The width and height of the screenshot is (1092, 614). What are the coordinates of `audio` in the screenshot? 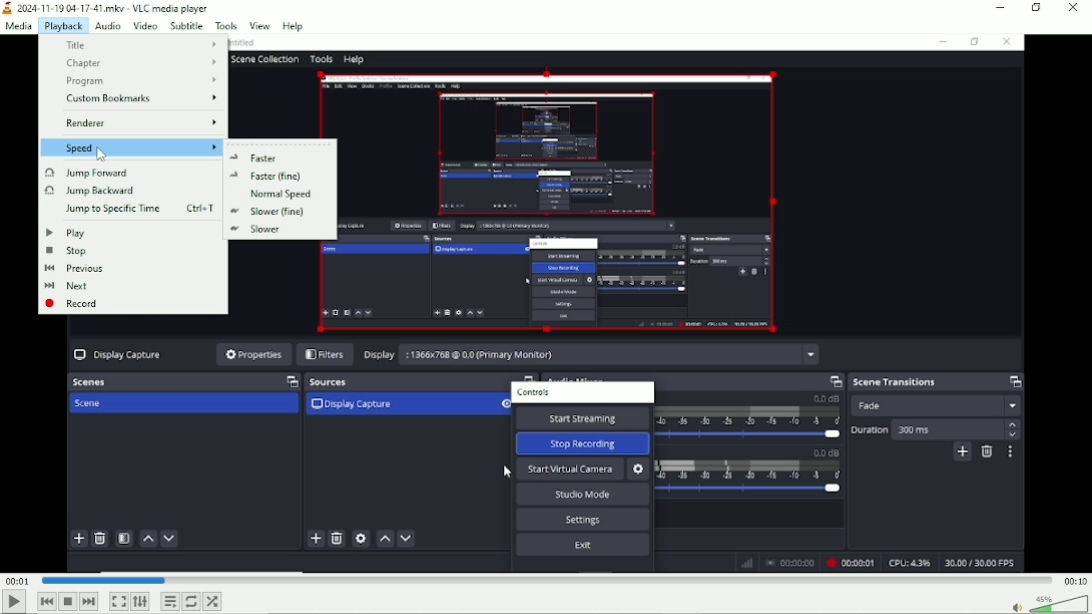 It's located at (107, 24).